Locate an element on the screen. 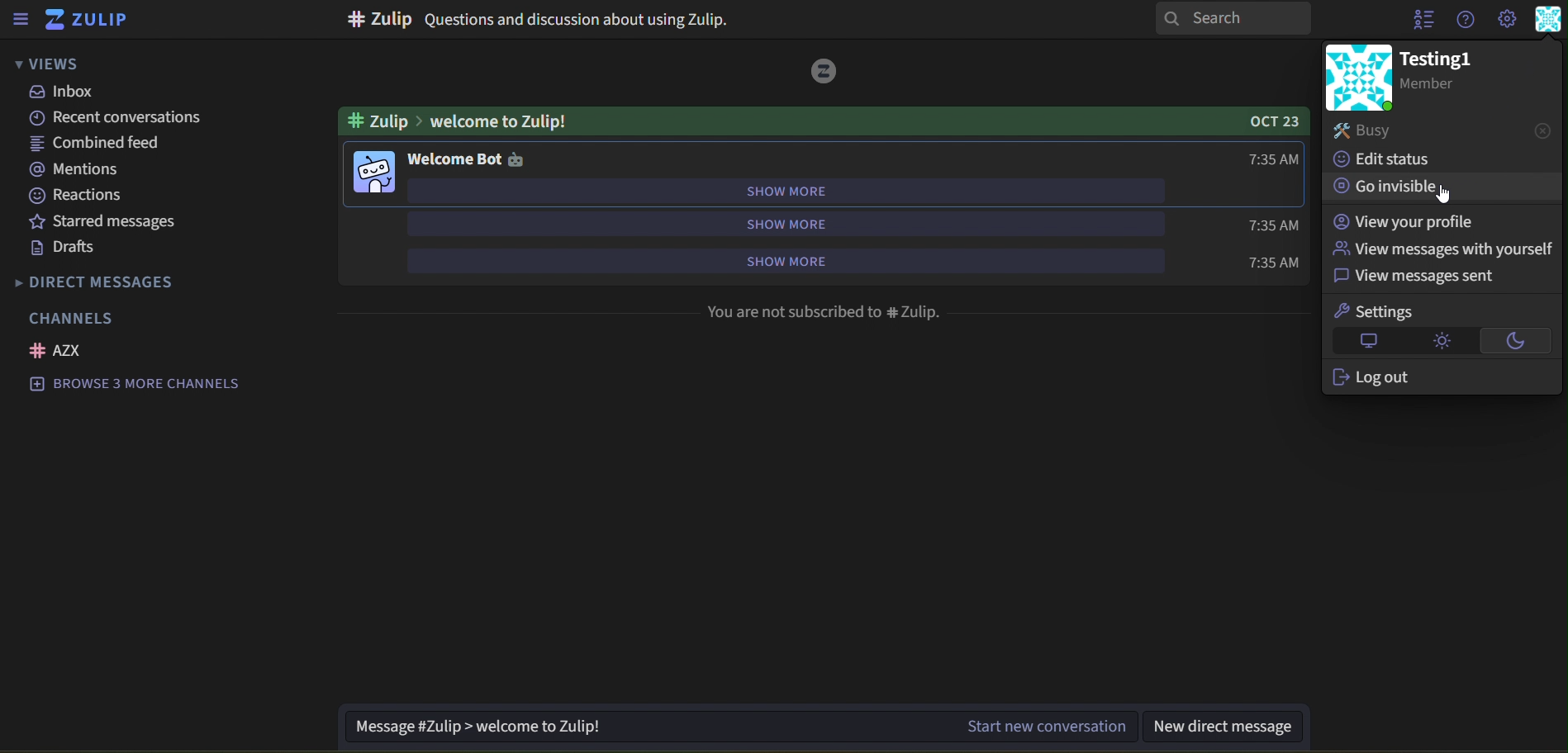 This screenshot has height=753, width=1568. starred messages is located at coordinates (127, 223).